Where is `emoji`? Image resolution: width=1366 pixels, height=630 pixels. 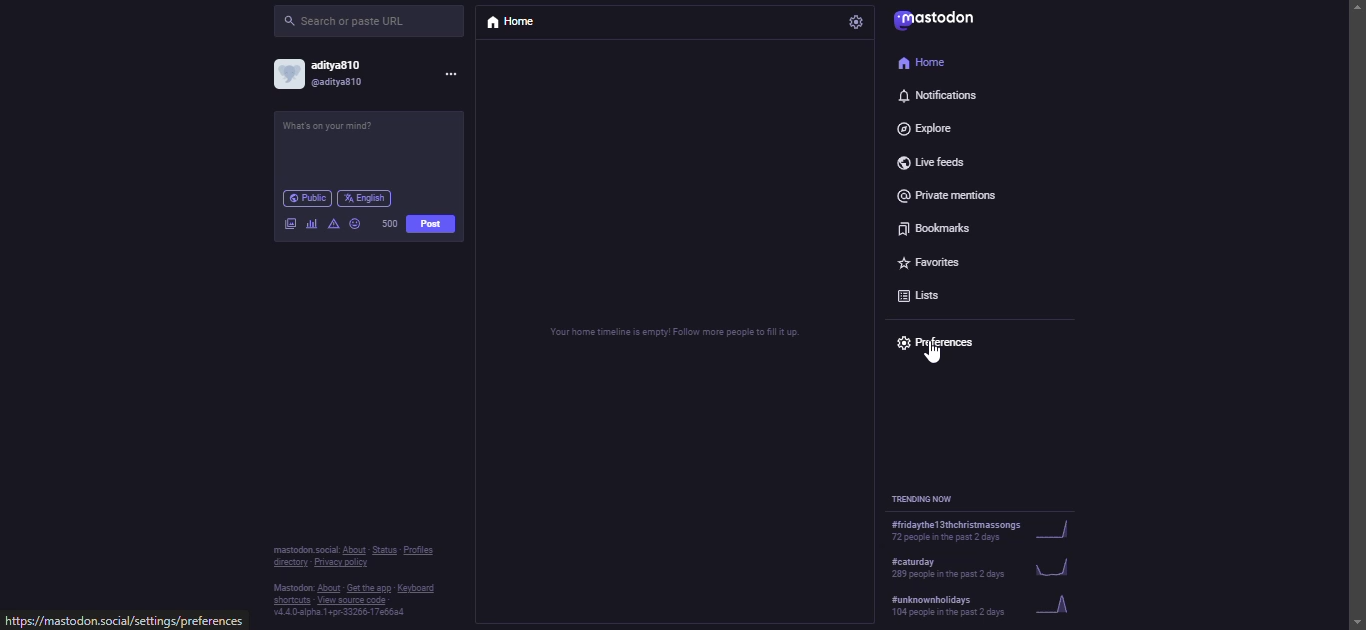 emoji is located at coordinates (354, 222).